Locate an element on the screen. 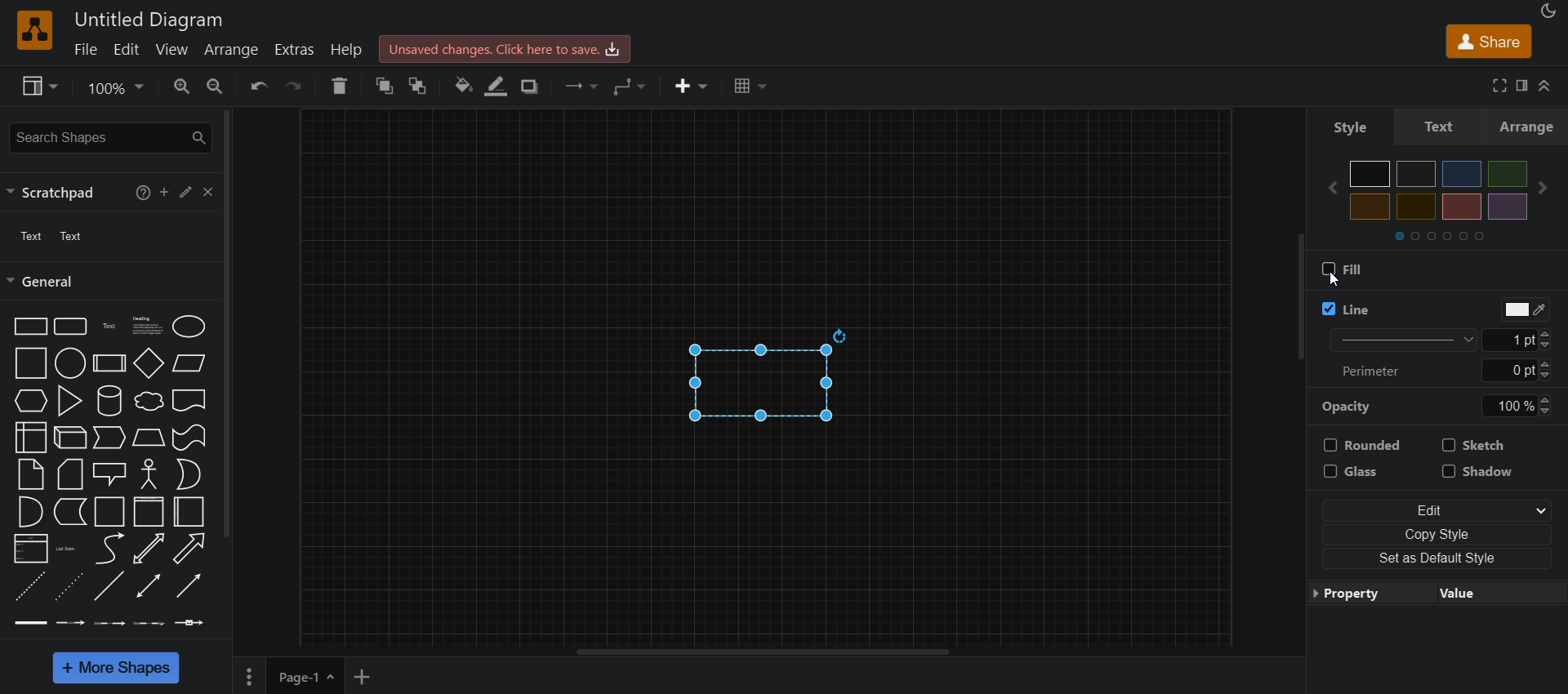 This screenshot has height=694, width=1568. shadows is located at coordinates (529, 87).